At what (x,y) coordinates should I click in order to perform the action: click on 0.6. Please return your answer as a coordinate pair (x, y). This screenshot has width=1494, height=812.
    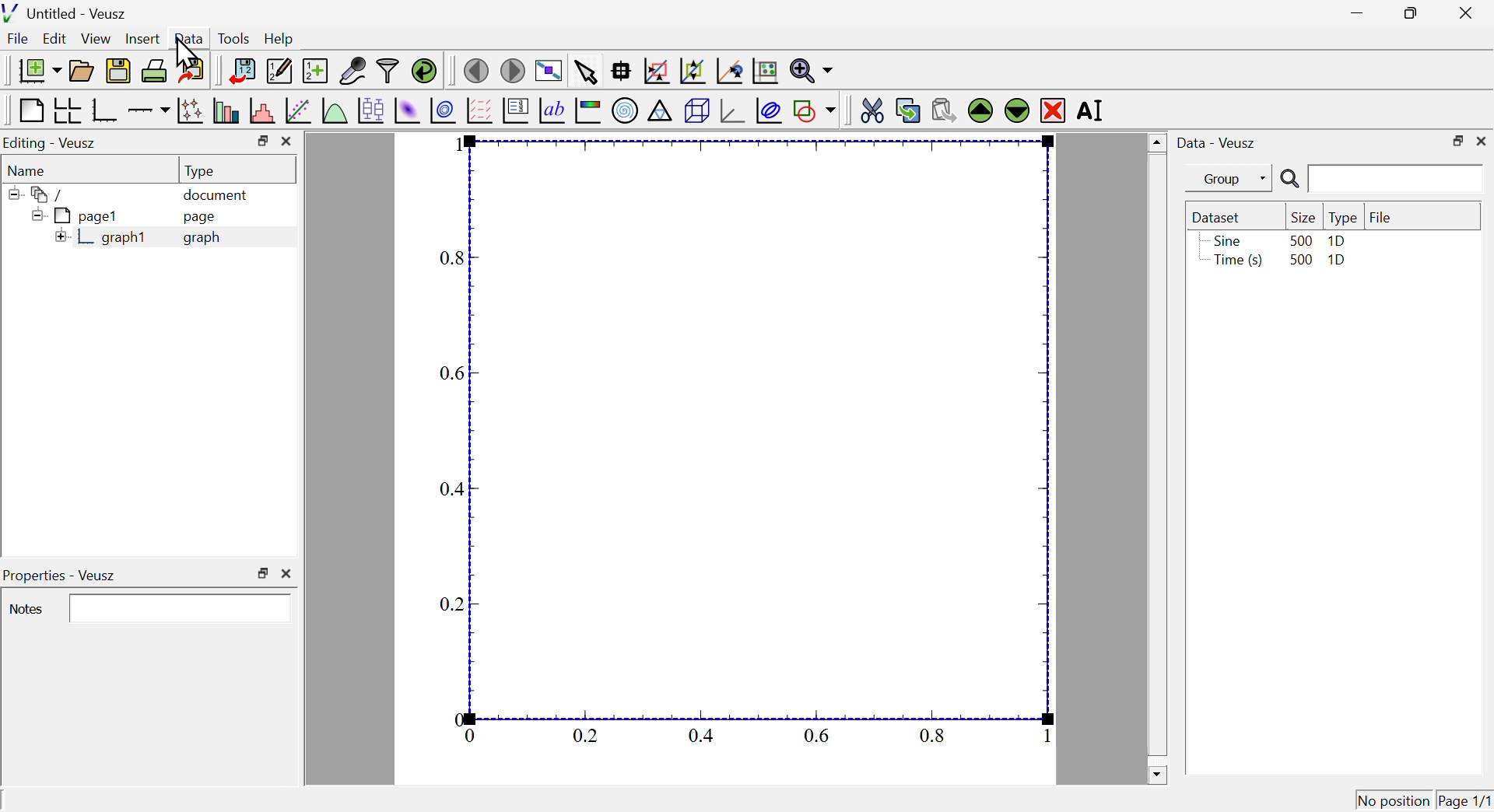
    Looking at the image, I should click on (819, 734).